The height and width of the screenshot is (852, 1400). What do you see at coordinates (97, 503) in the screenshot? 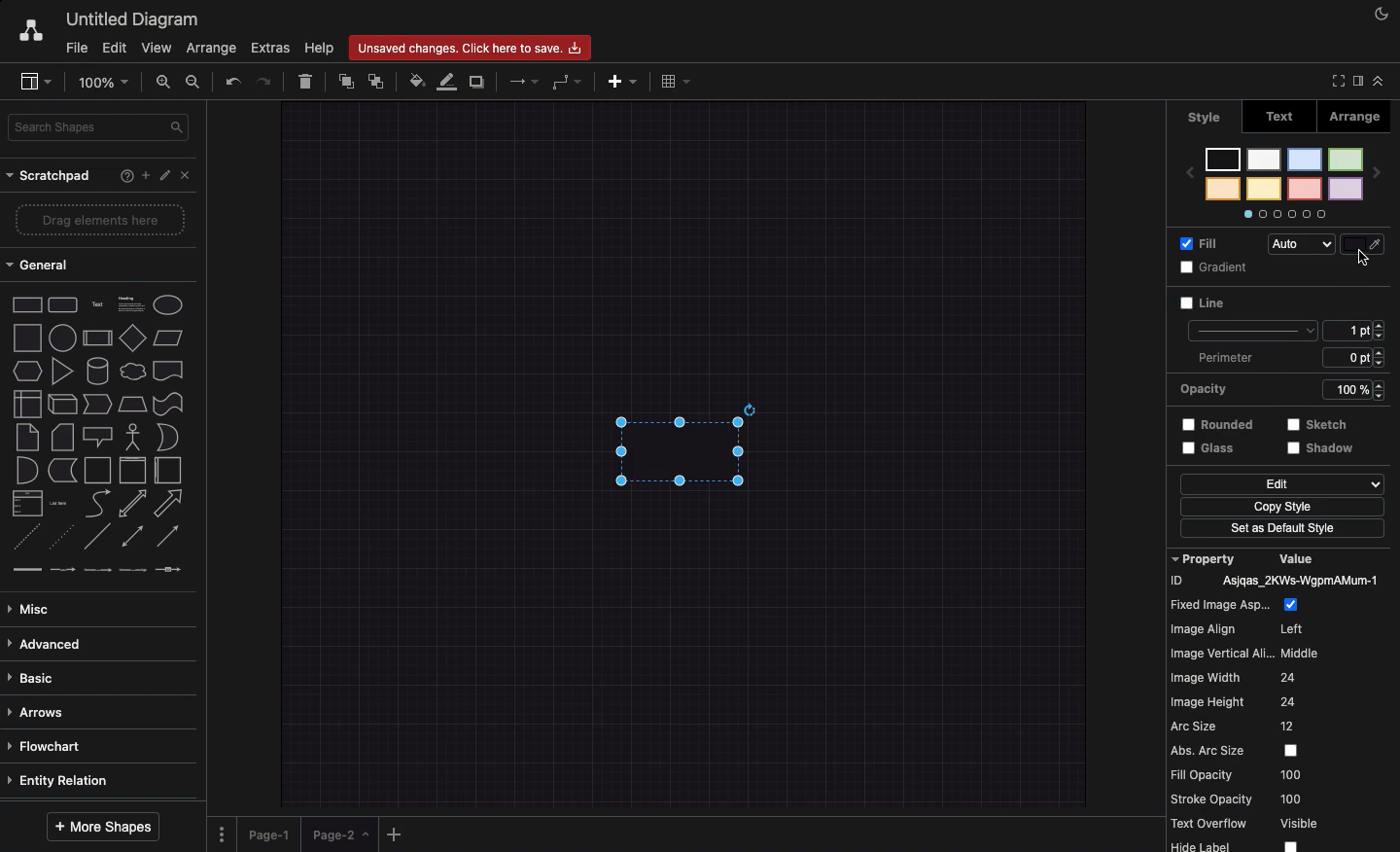
I see `curve` at bounding box center [97, 503].